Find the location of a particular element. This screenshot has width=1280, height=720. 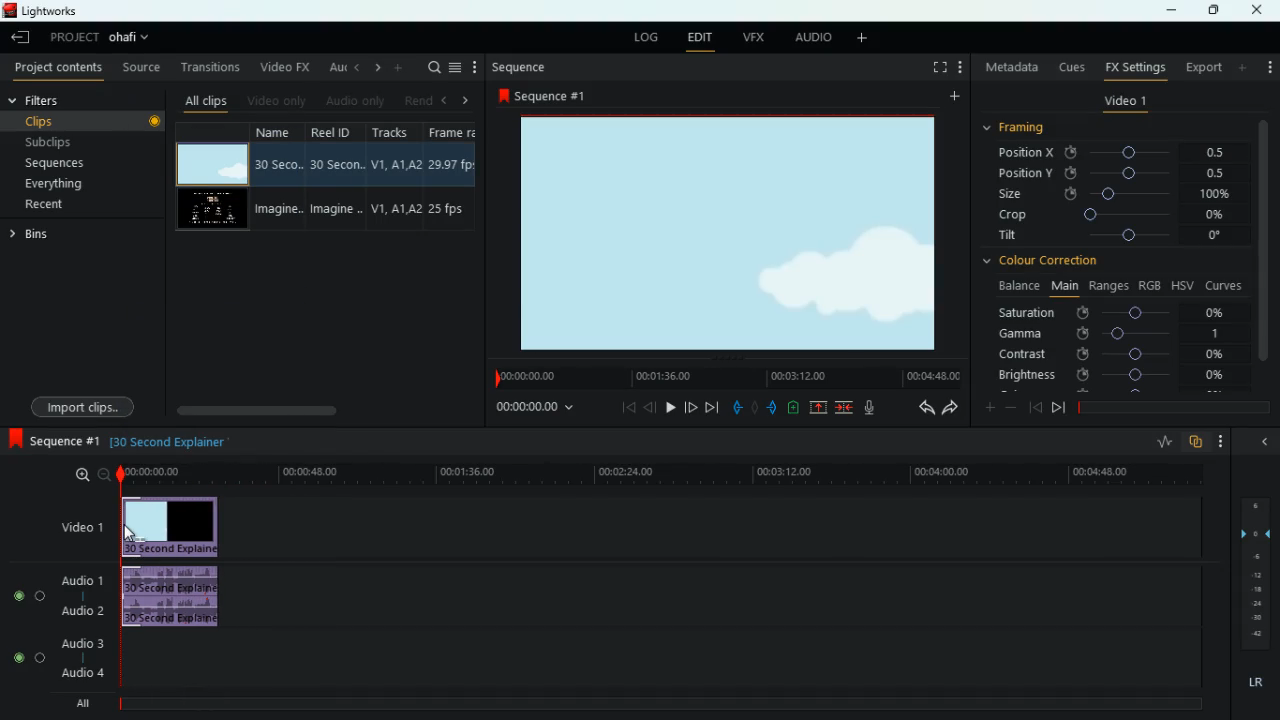

pull is located at coordinates (735, 409).